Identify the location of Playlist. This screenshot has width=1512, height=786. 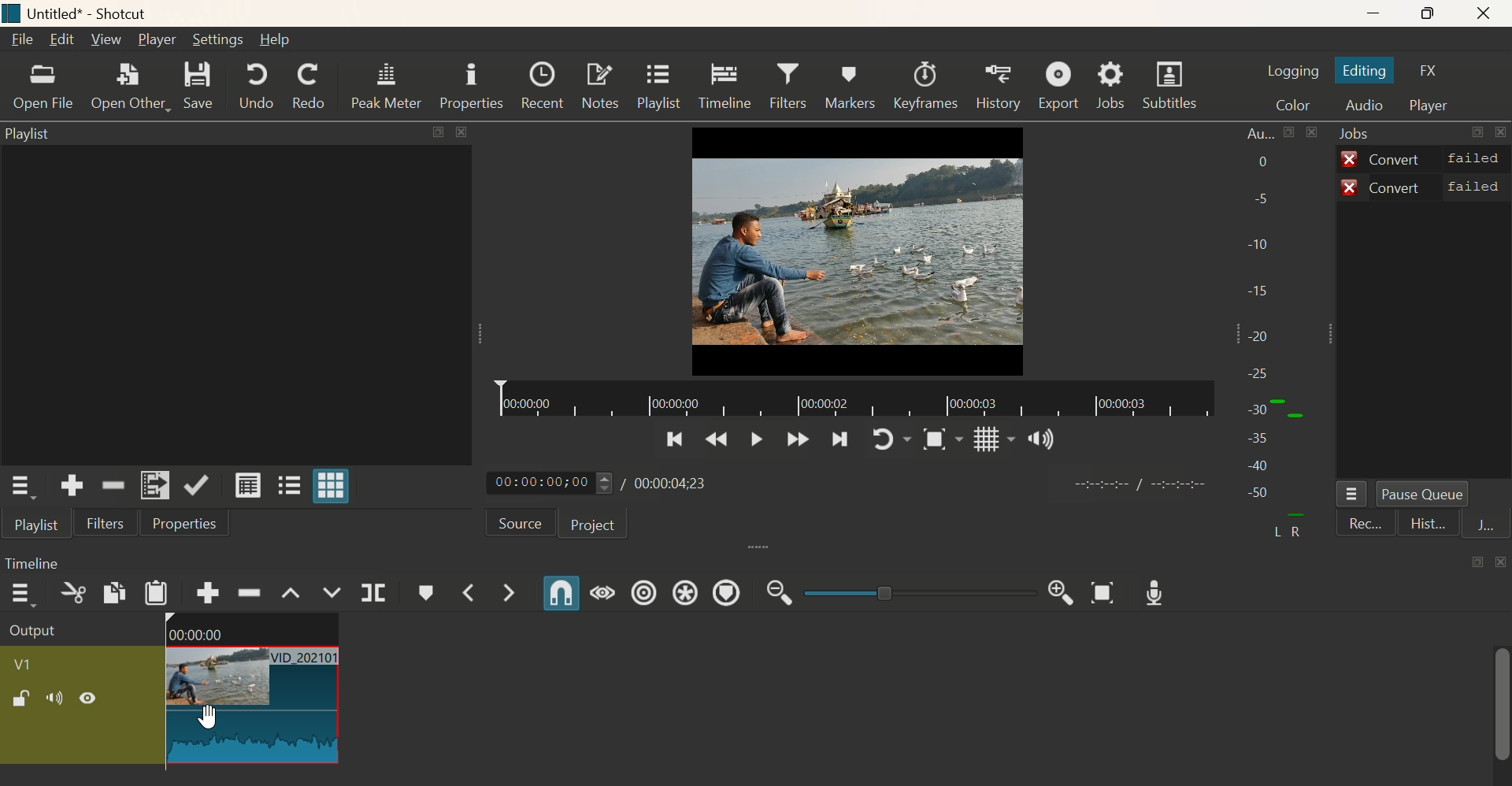
(35, 528).